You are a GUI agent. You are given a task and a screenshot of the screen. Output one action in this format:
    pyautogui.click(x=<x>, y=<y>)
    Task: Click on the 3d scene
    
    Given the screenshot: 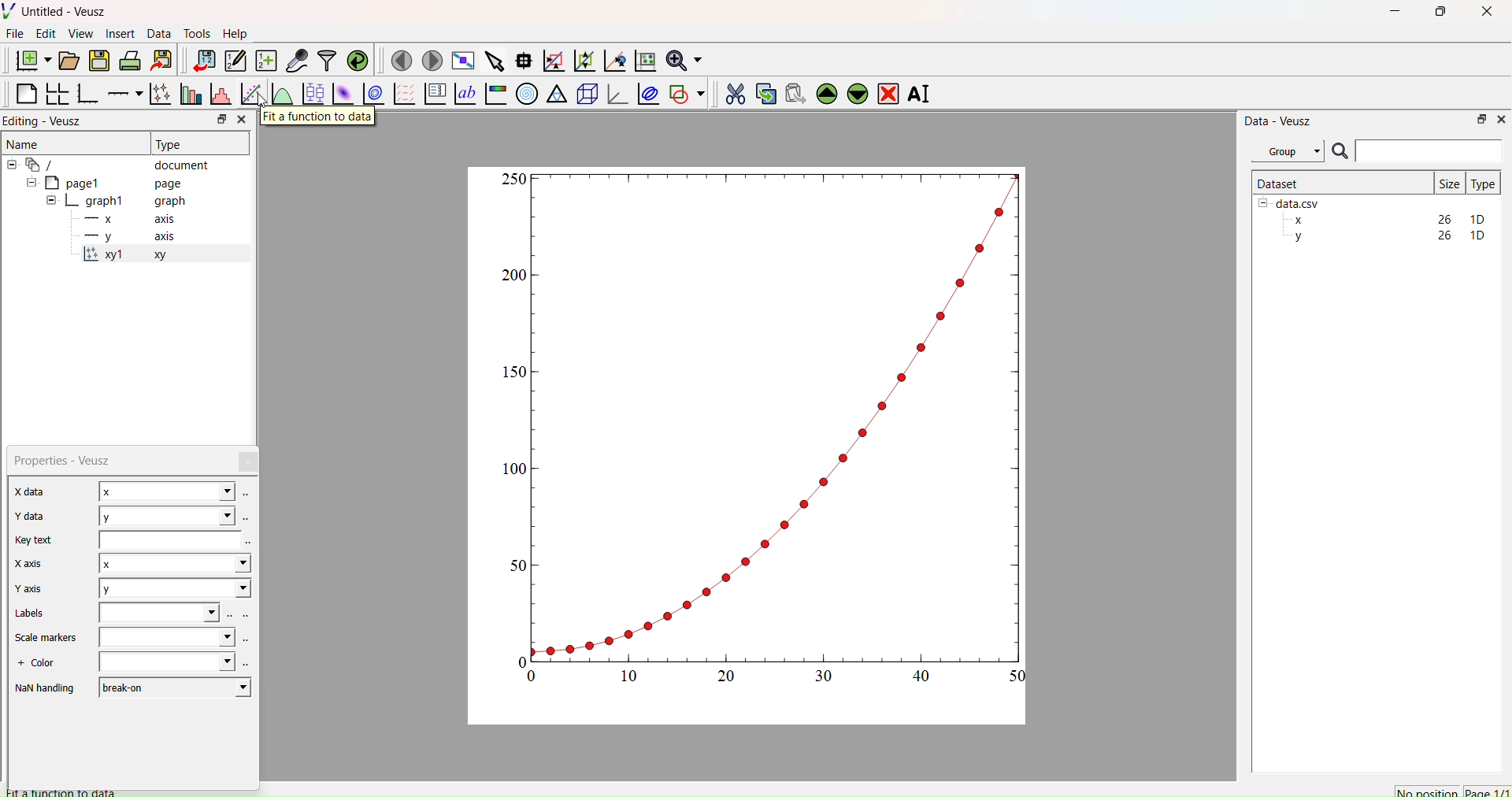 What is the action you would take?
    pyautogui.click(x=585, y=91)
    